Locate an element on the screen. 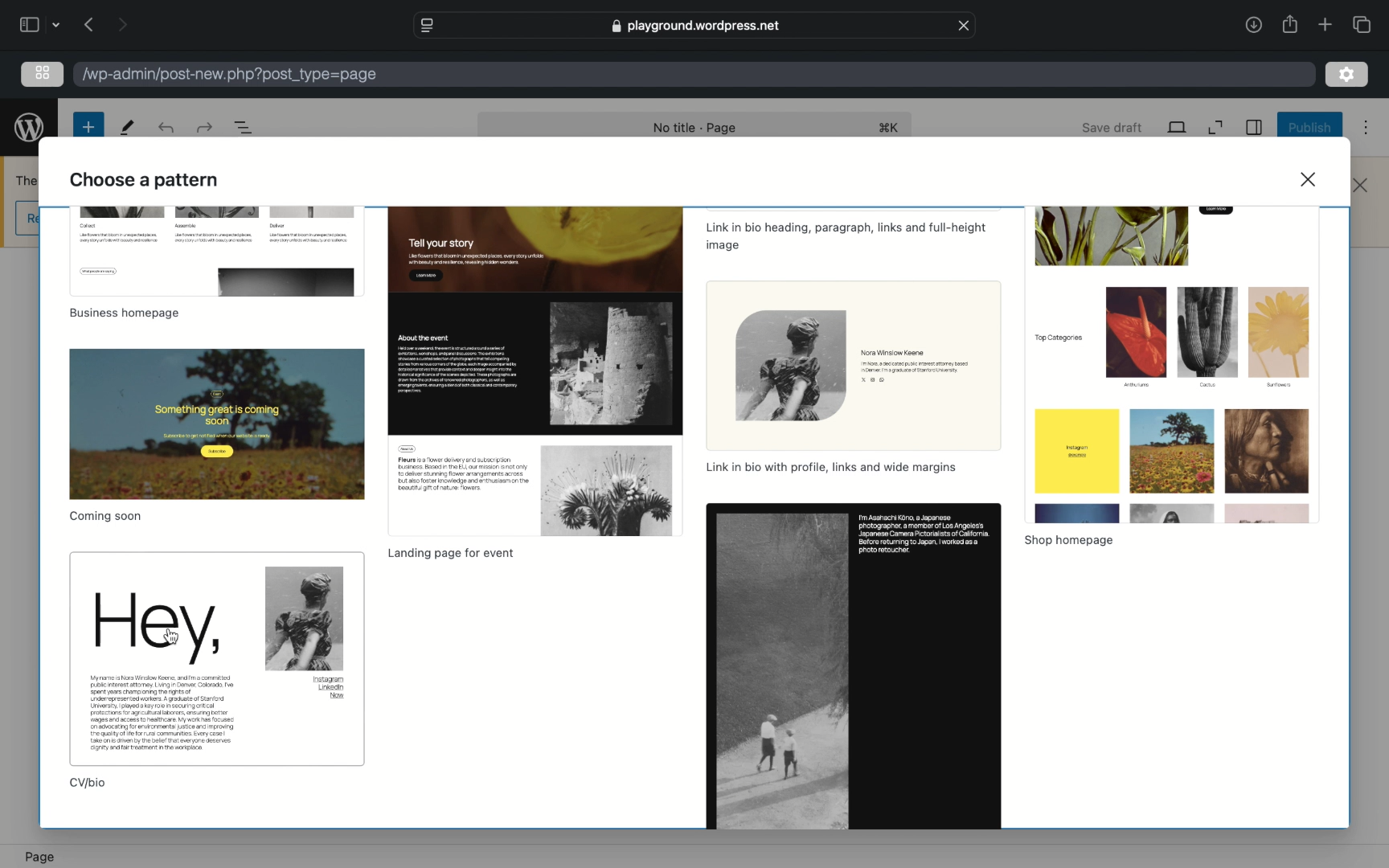 The height and width of the screenshot is (868, 1389). wordpress is located at coordinates (29, 128).